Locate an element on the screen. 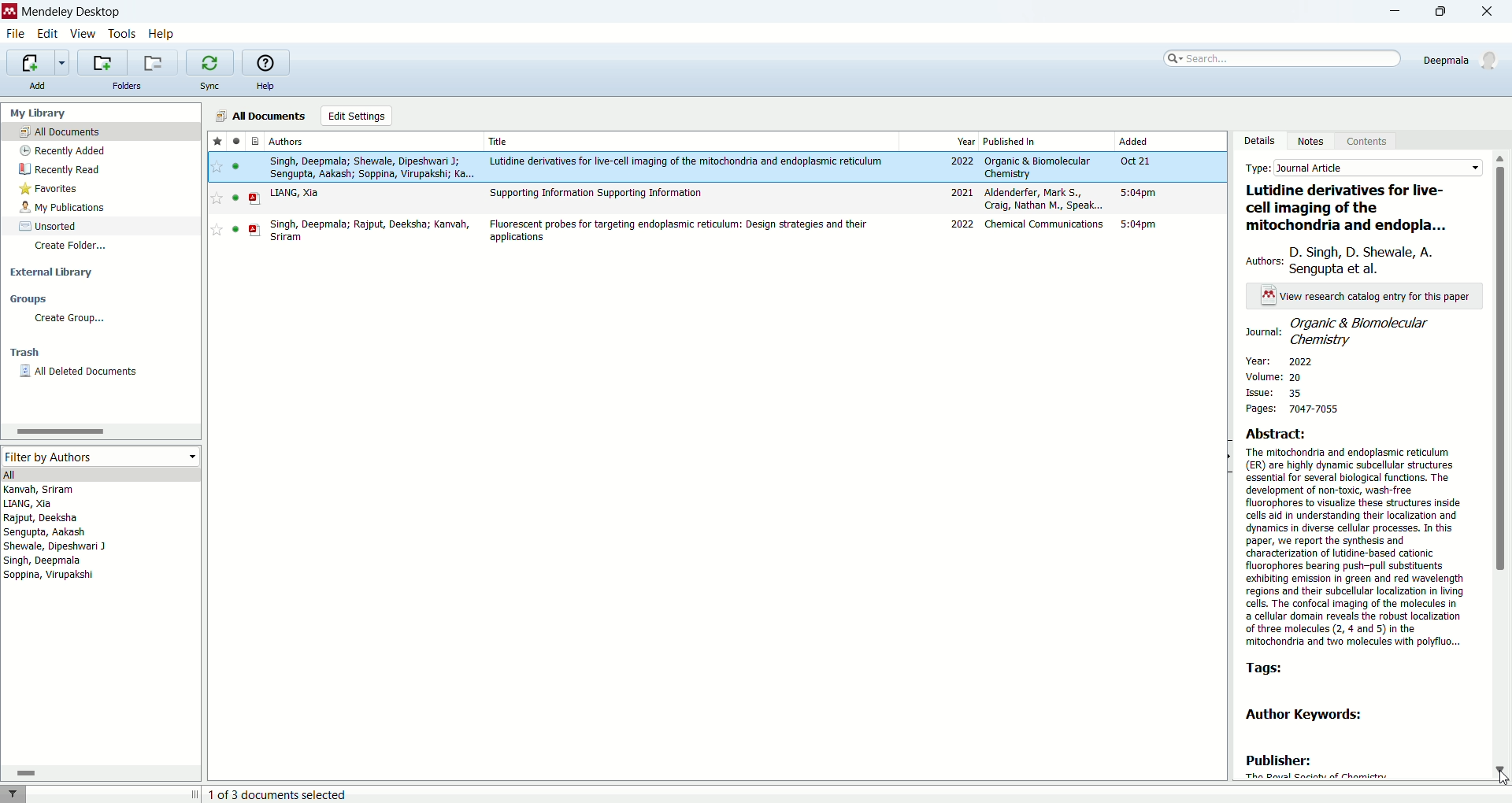 The width and height of the screenshot is (1512, 803). read/unread is located at coordinates (235, 140).